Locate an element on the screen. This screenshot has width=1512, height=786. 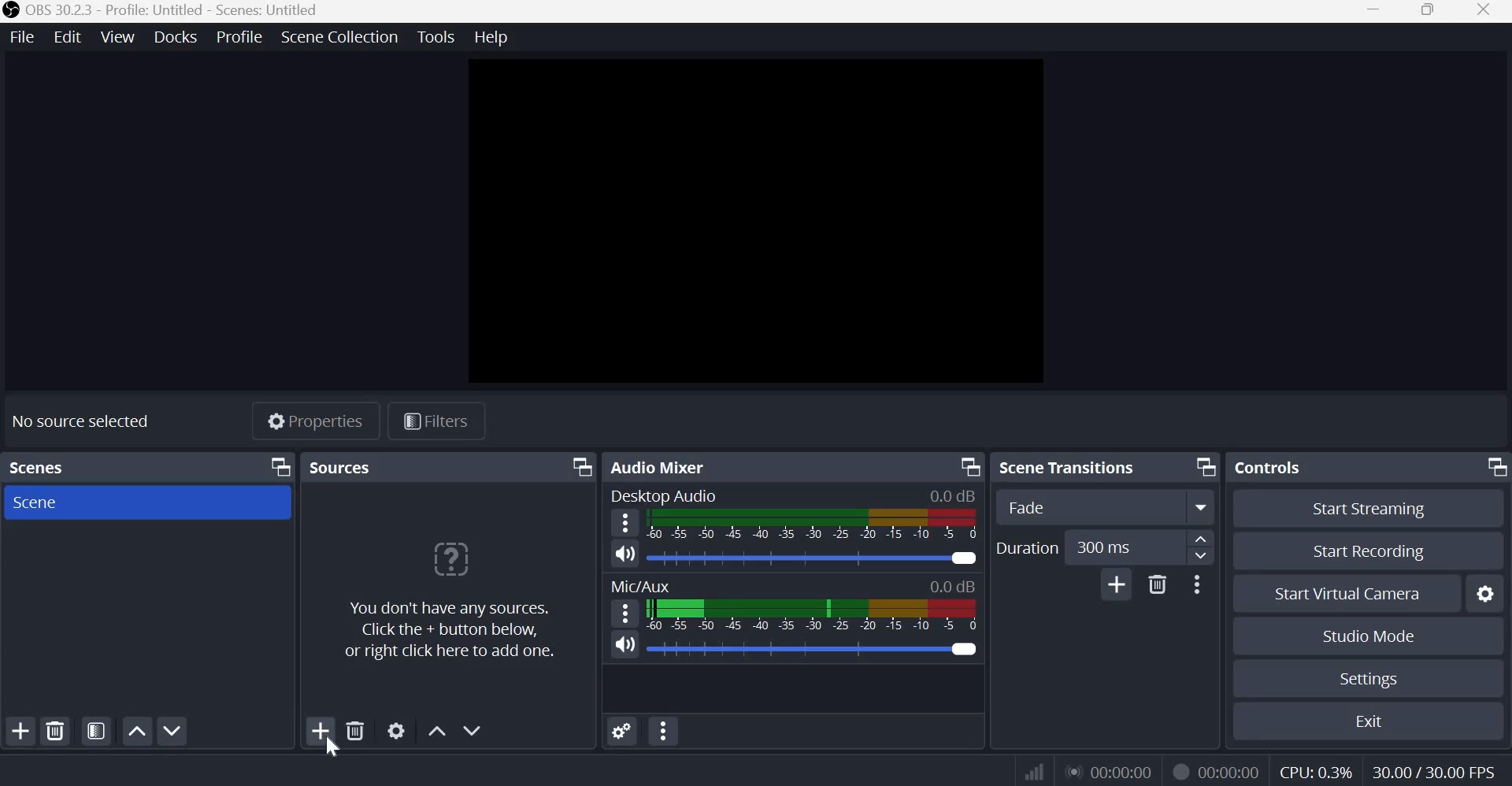
Canvas is located at coordinates (750, 224).